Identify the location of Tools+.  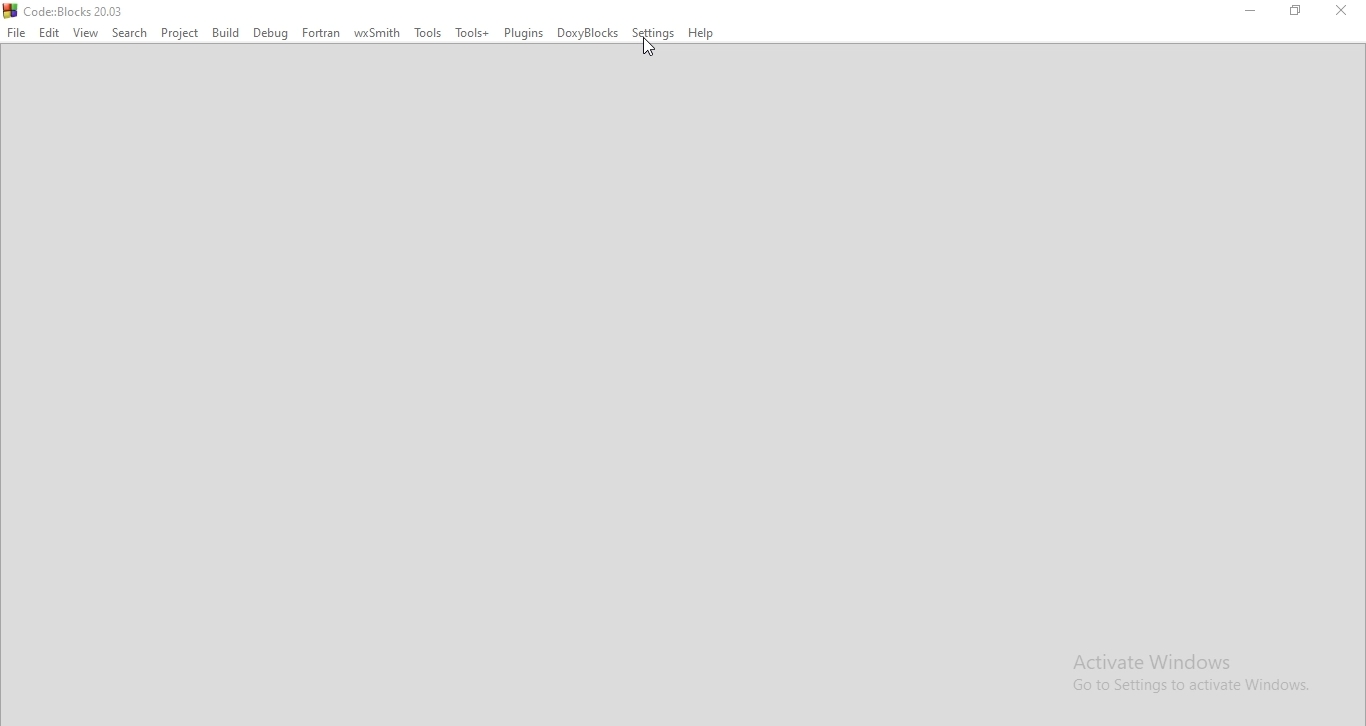
(473, 34).